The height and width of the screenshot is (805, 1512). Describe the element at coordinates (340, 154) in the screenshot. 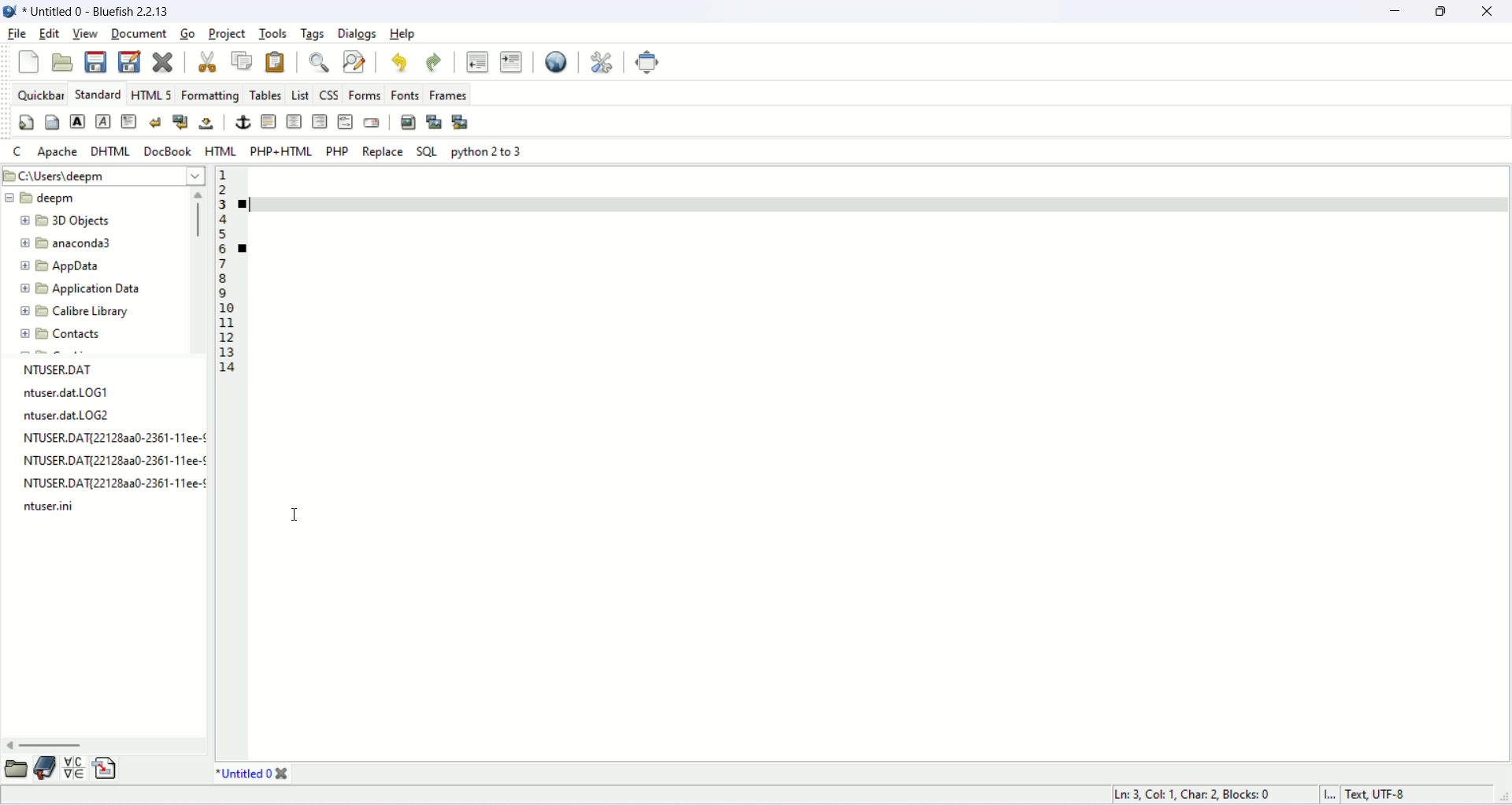

I see `PHP` at that location.